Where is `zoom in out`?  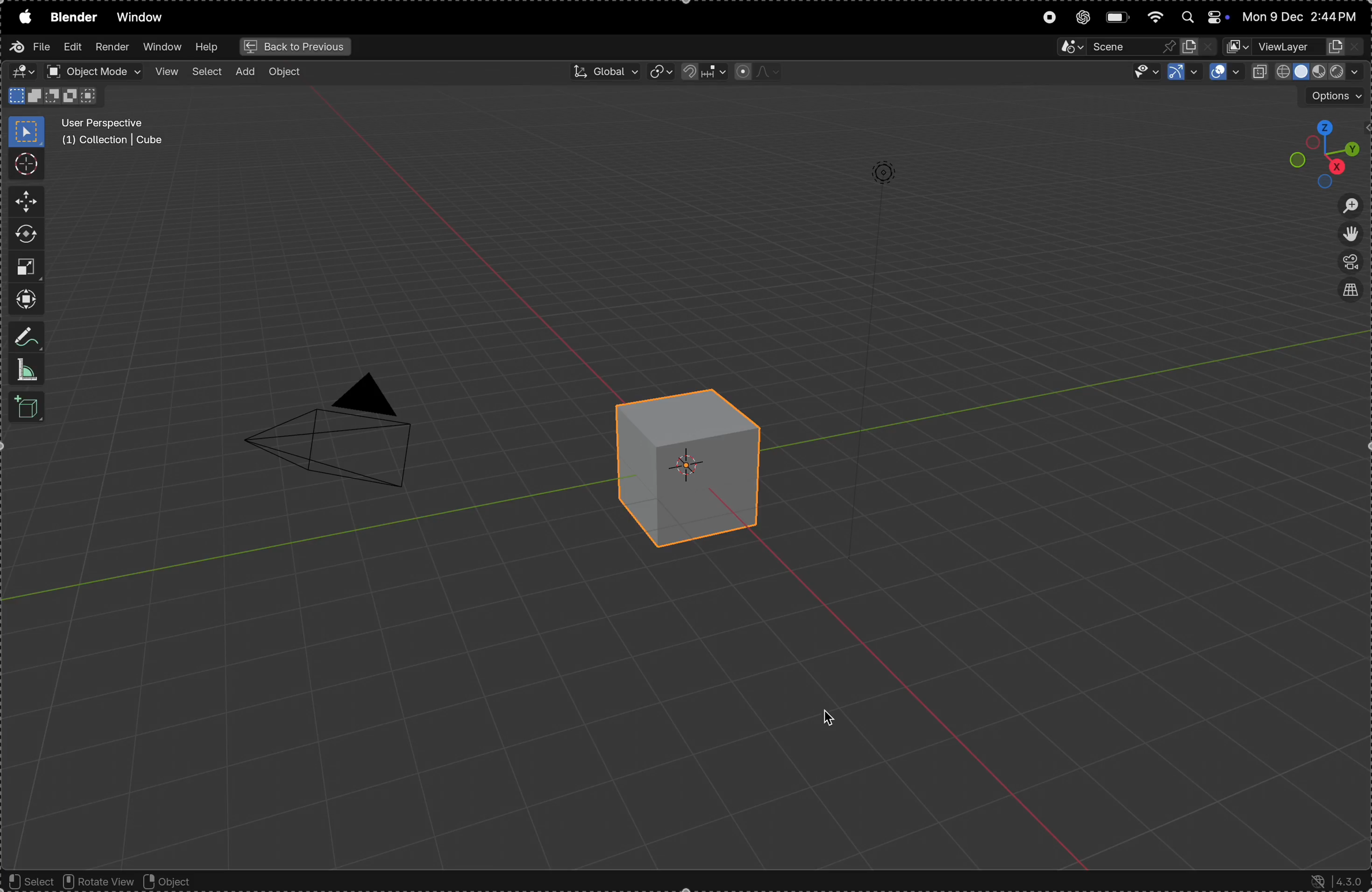 zoom in out is located at coordinates (1350, 205).